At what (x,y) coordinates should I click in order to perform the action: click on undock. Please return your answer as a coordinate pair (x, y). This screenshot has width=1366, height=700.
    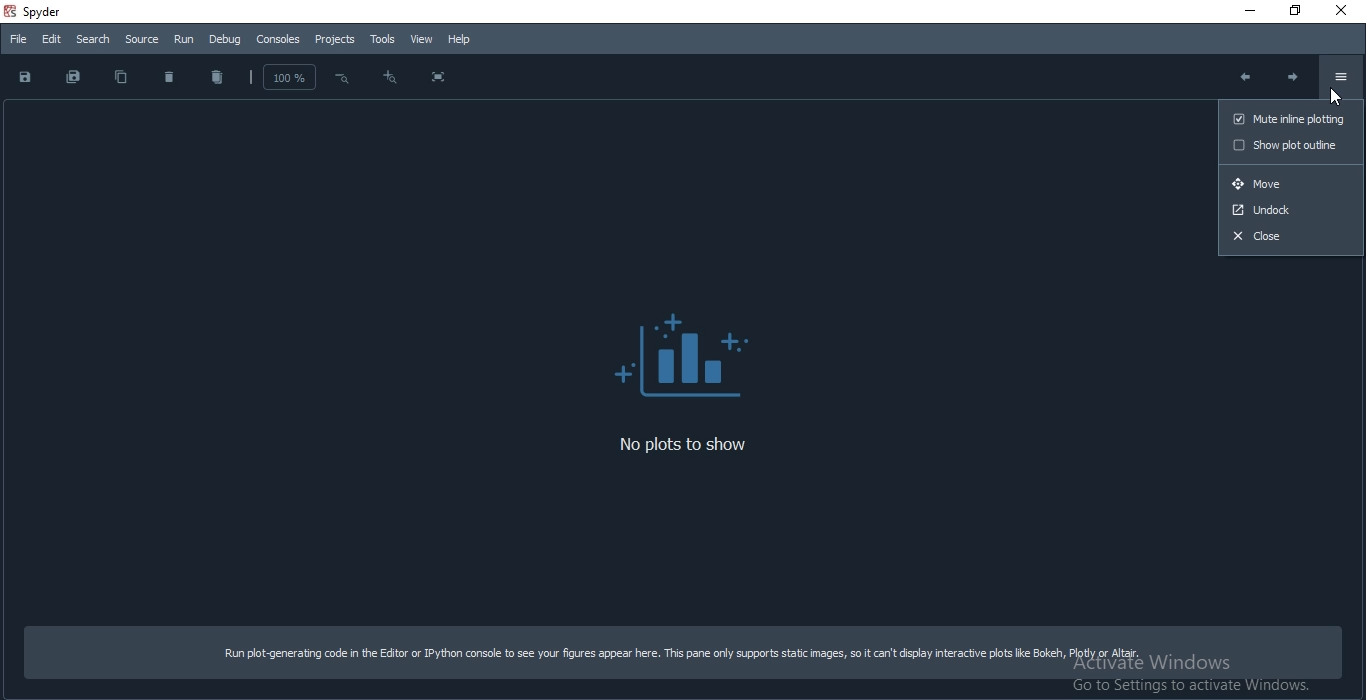
    Looking at the image, I should click on (1292, 209).